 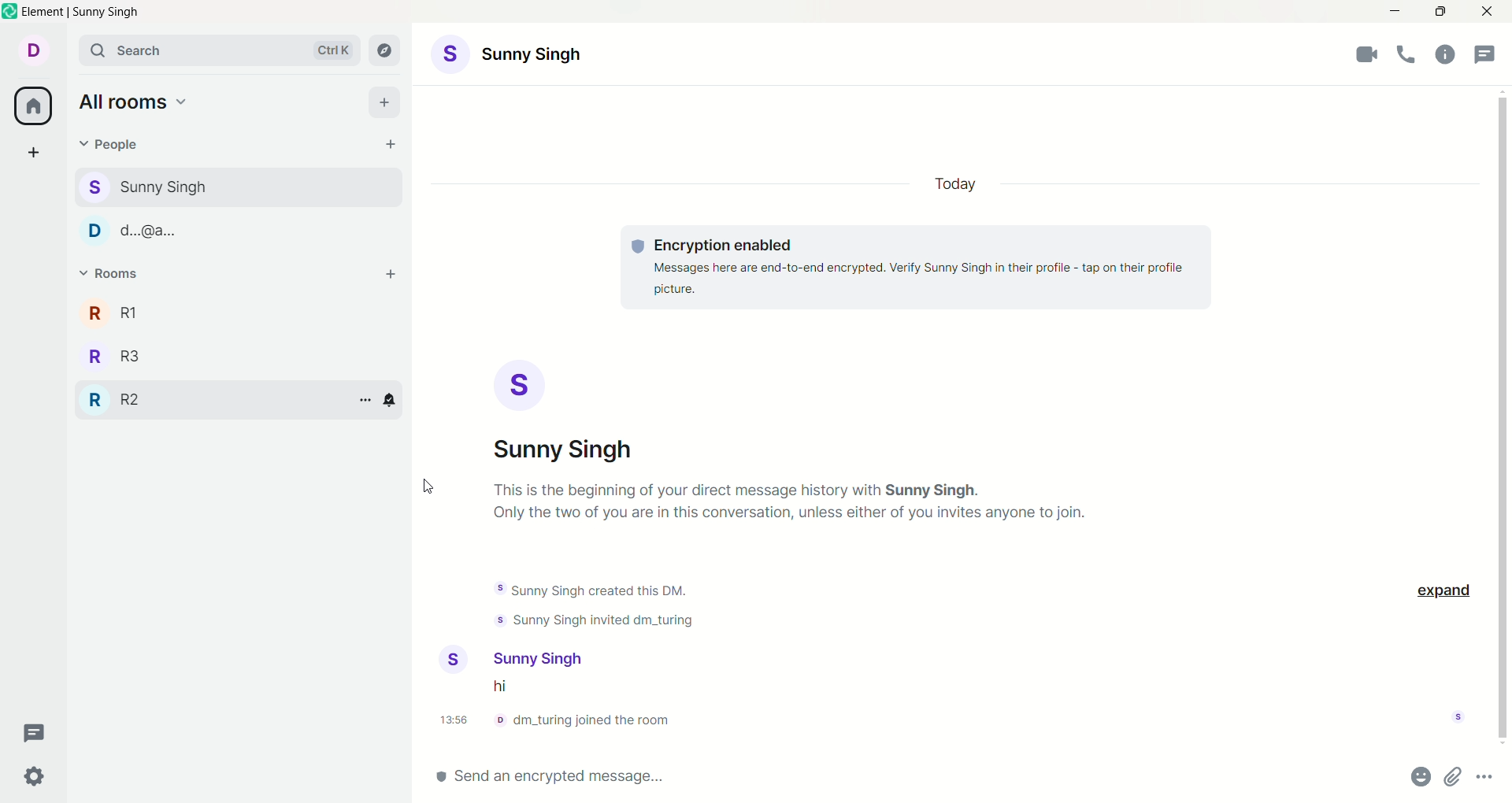 I want to click on video call, so click(x=1367, y=57).